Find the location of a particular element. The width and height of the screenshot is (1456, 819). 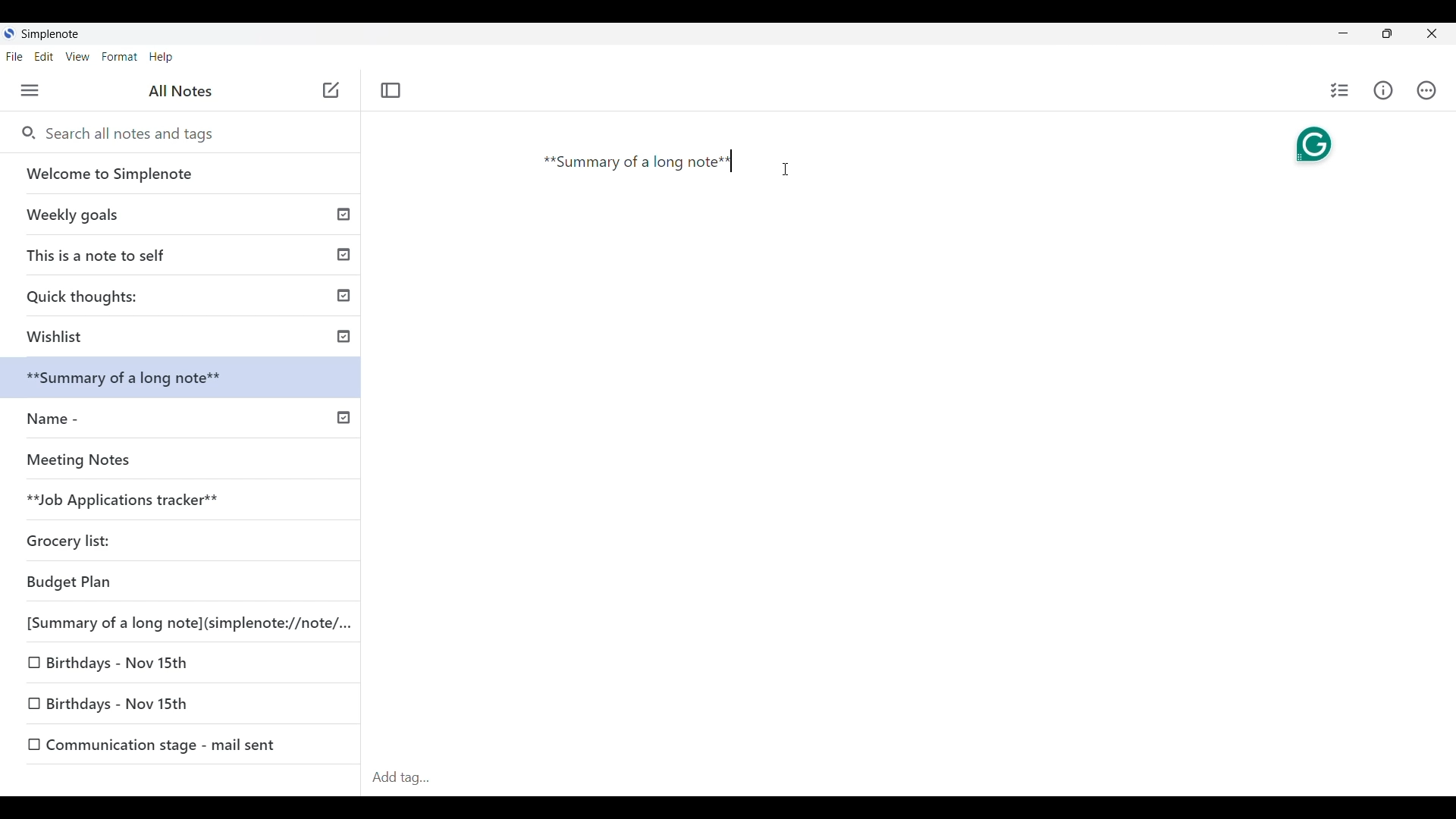

Minimize is located at coordinates (1344, 33).